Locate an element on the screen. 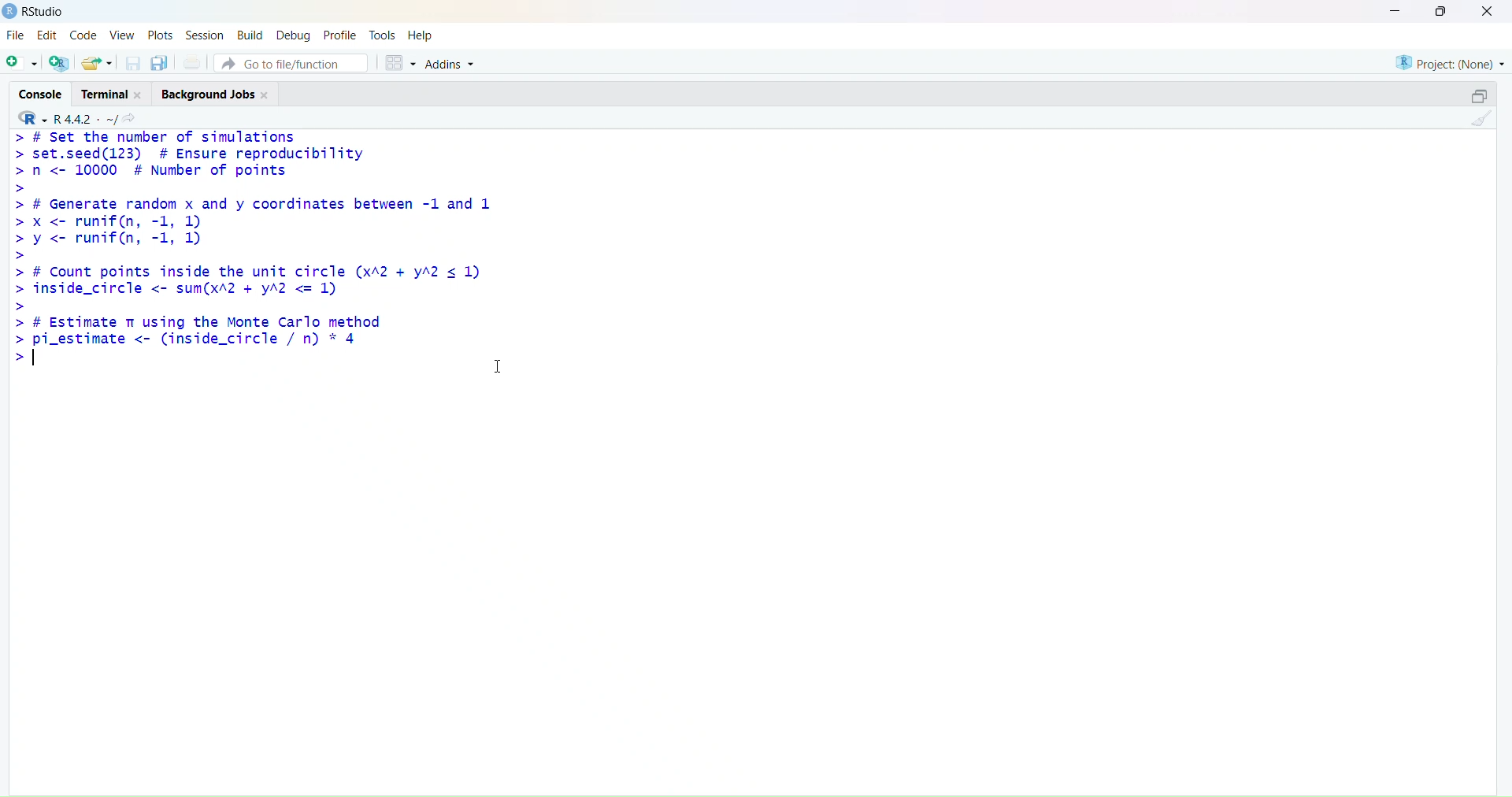  Close is located at coordinates (1487, 12).